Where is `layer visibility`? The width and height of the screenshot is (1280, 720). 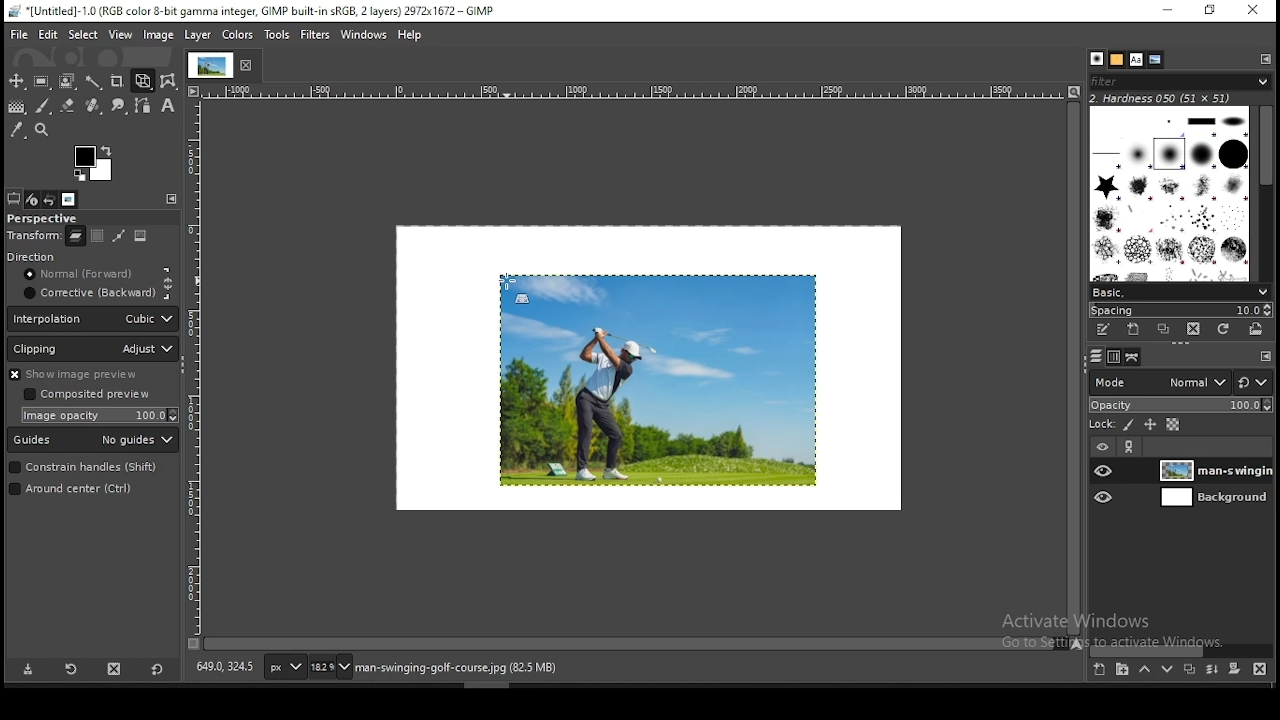
layer visibility is located at coordinates (1102, 448).